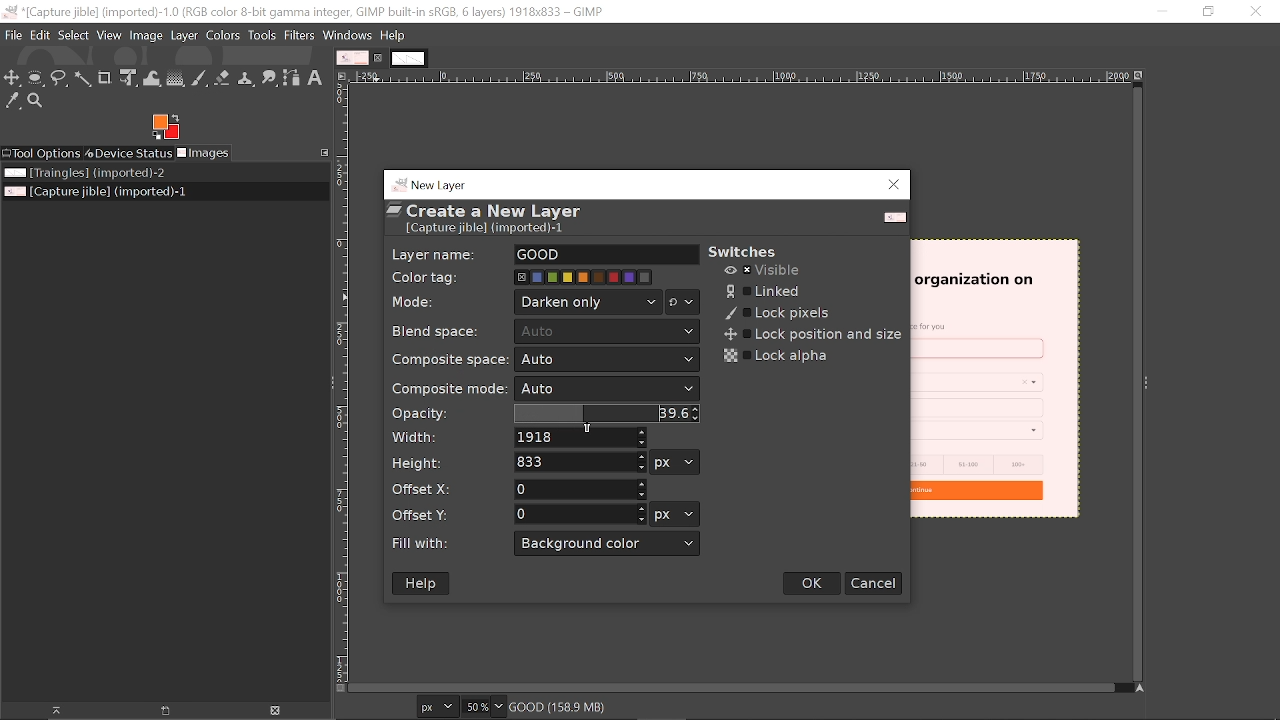  What do you see at coordinates (778, 356) in the screenshot?
I see `Lock alpha` at bounding box center [778, 356].